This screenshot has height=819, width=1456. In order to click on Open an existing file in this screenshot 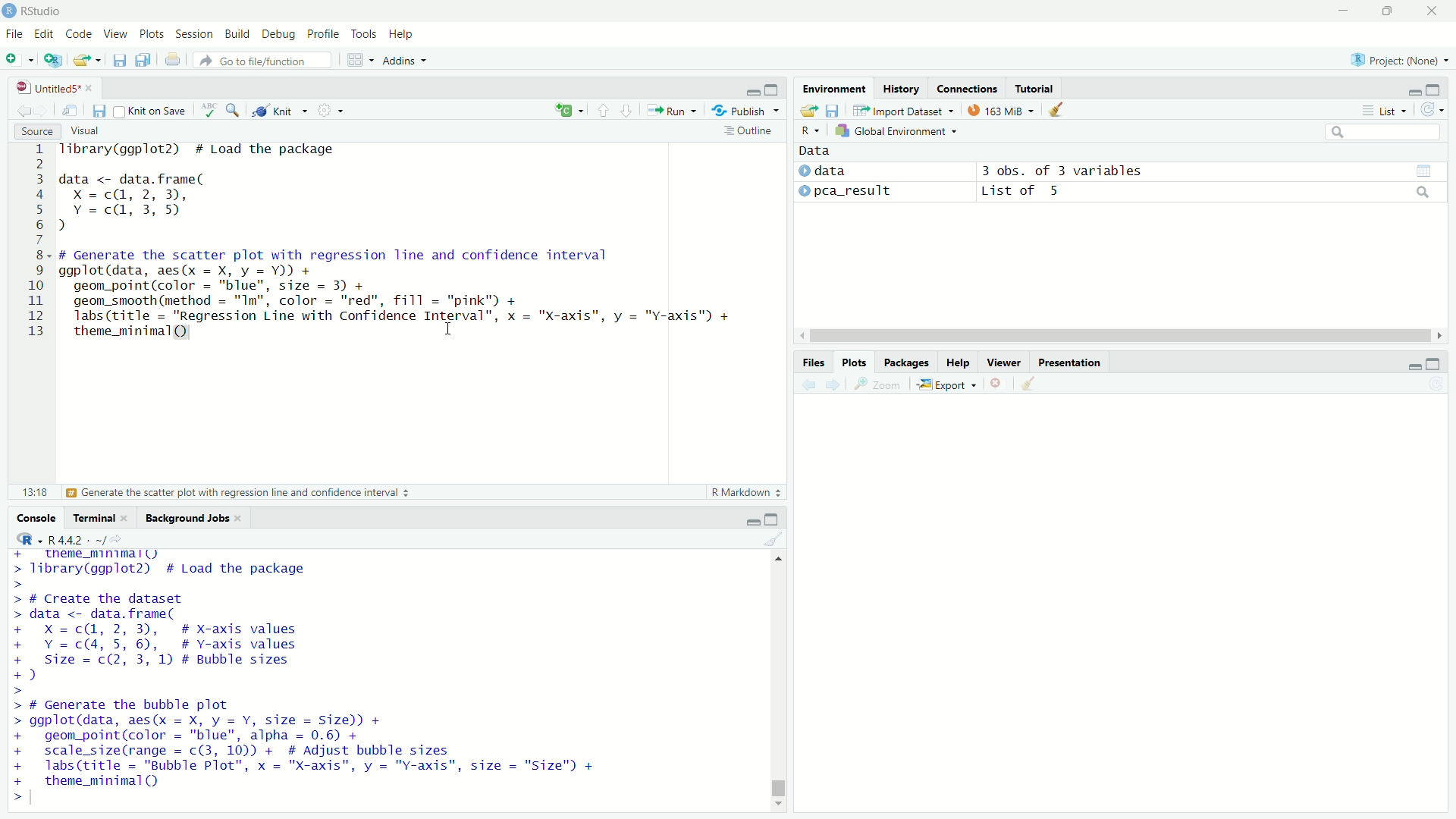, I will do `click(77, 60)`.